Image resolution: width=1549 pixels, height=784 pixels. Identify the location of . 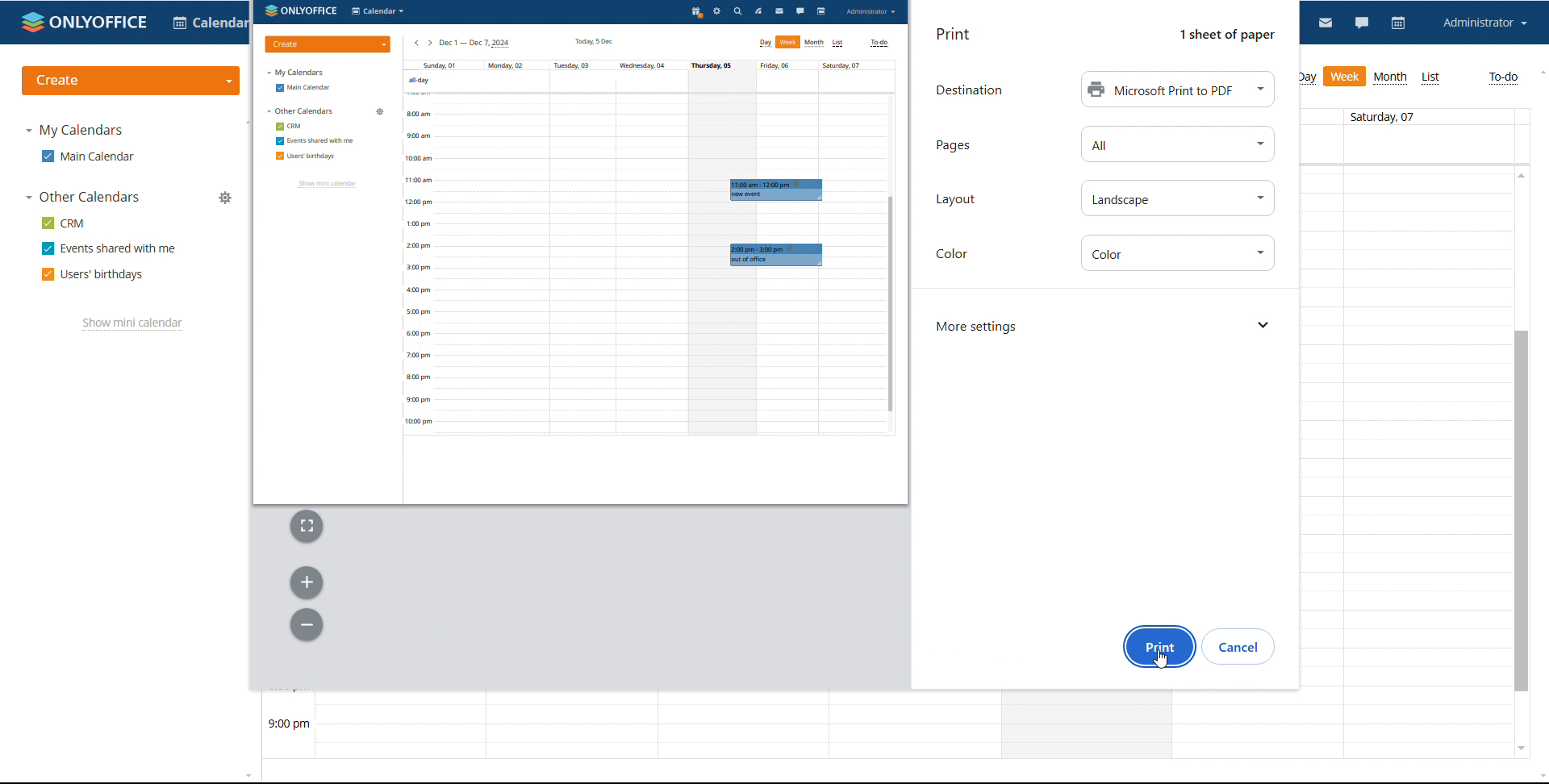
(1224, 35).